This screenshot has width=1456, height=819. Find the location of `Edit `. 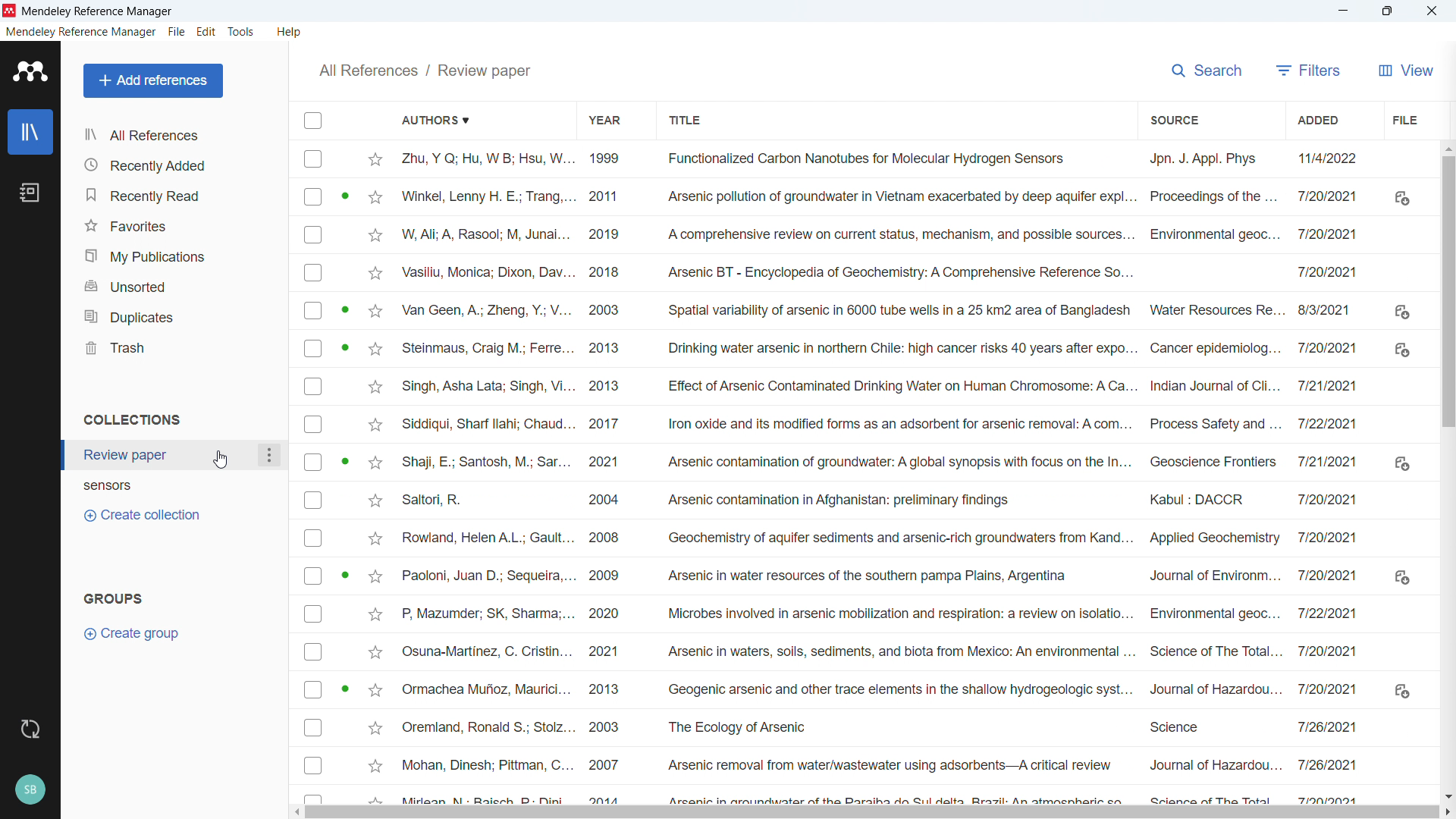

Edit  is located at coordinates (206, 33).